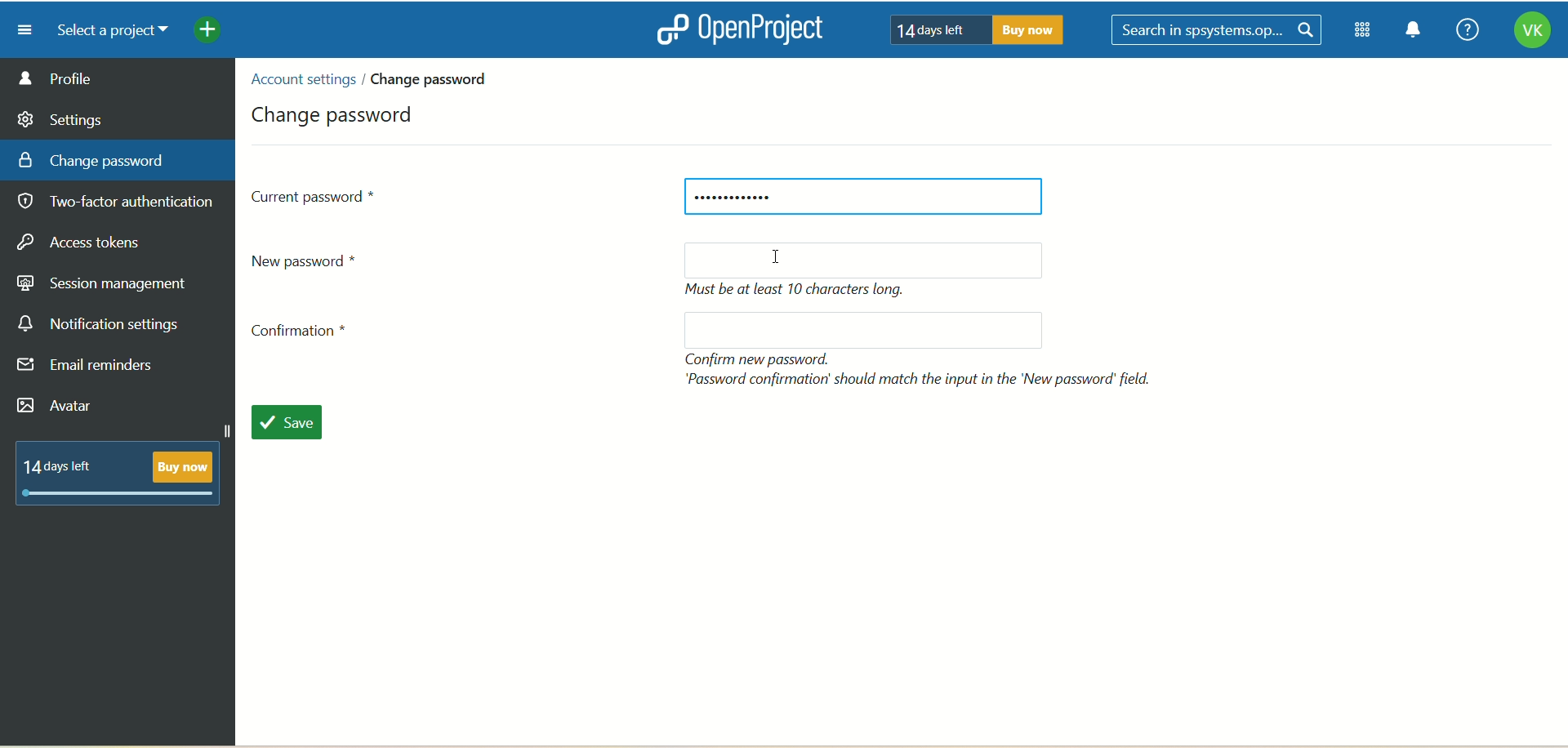 The image size is (1568, 748). I want to click on current password, so click(862, 198).